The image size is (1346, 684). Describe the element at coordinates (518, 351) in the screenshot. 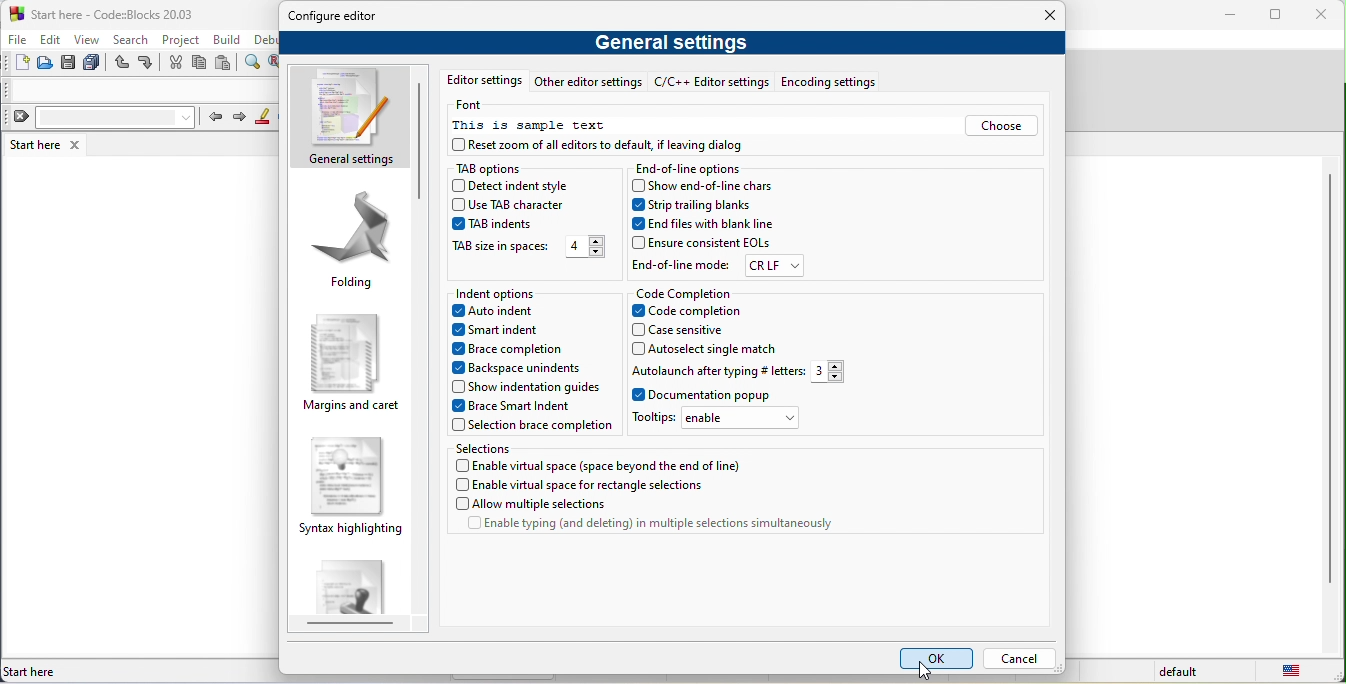

I see `brace completion` at that location.